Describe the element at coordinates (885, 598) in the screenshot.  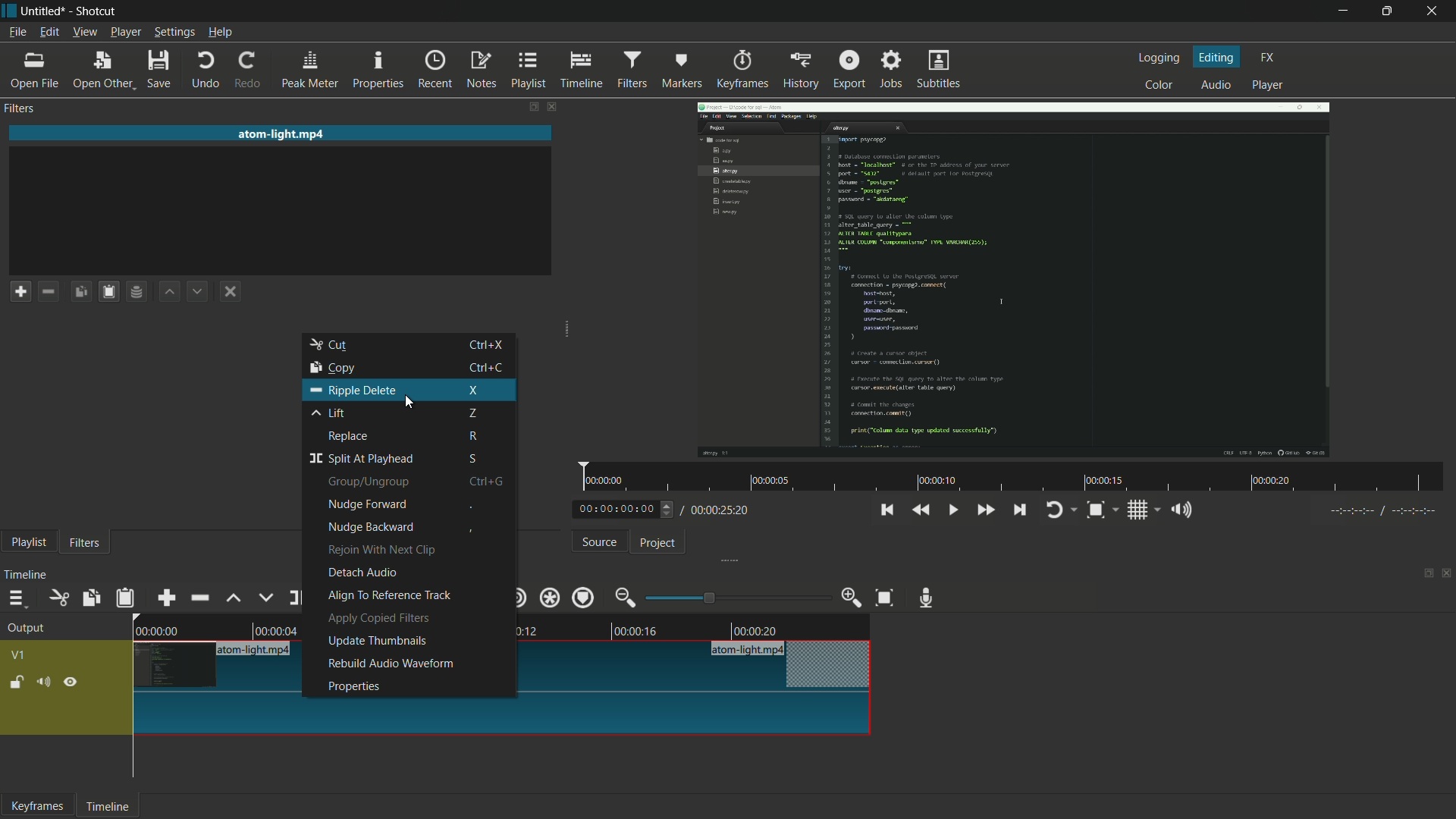
I see `zoom timeline to fit` at that location.